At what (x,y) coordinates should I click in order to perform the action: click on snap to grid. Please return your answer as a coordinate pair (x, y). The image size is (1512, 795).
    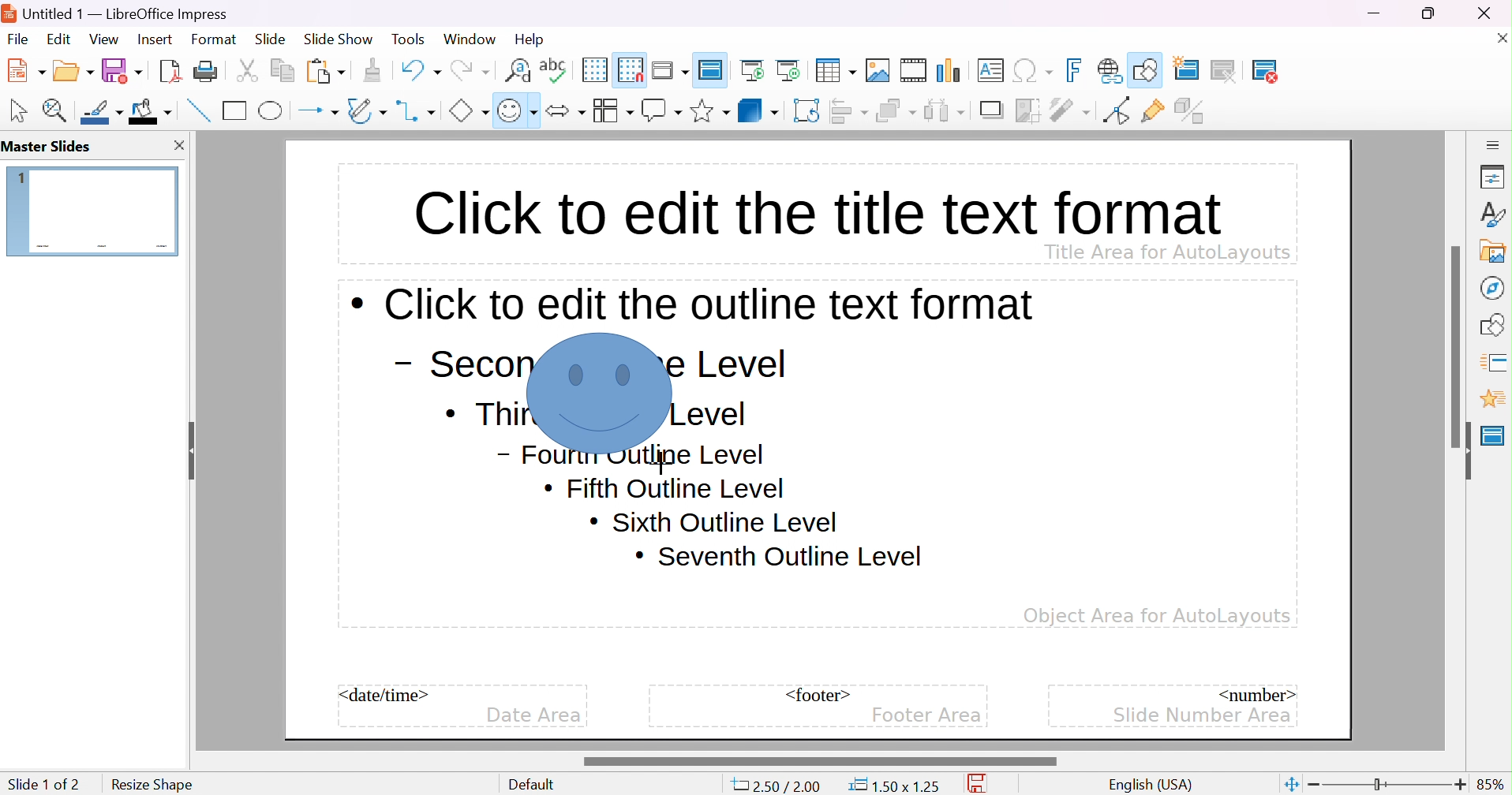
    Looking at the image, I should click on (631, 68).